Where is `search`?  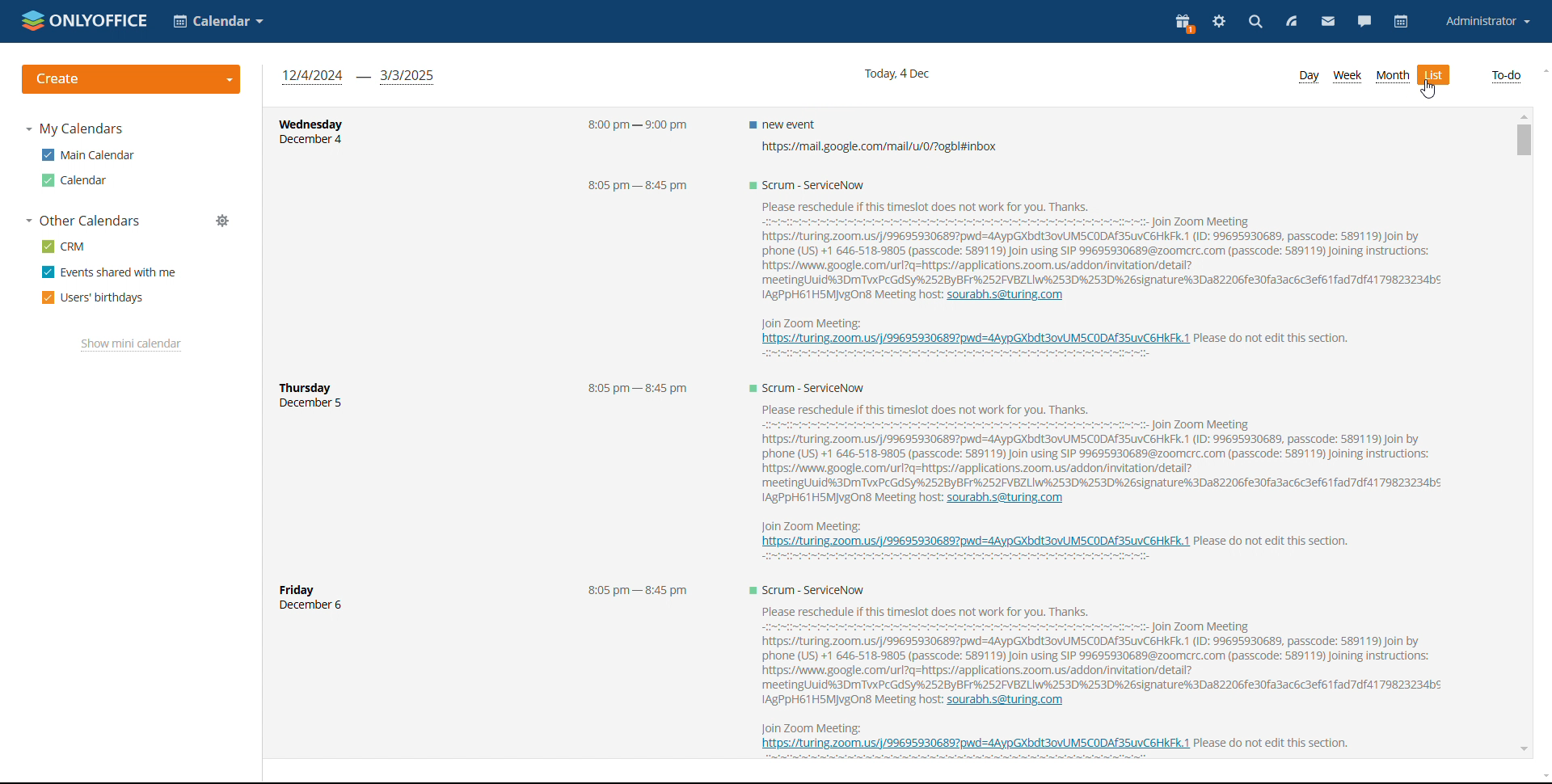
search is located at coordinates (1255, 23).